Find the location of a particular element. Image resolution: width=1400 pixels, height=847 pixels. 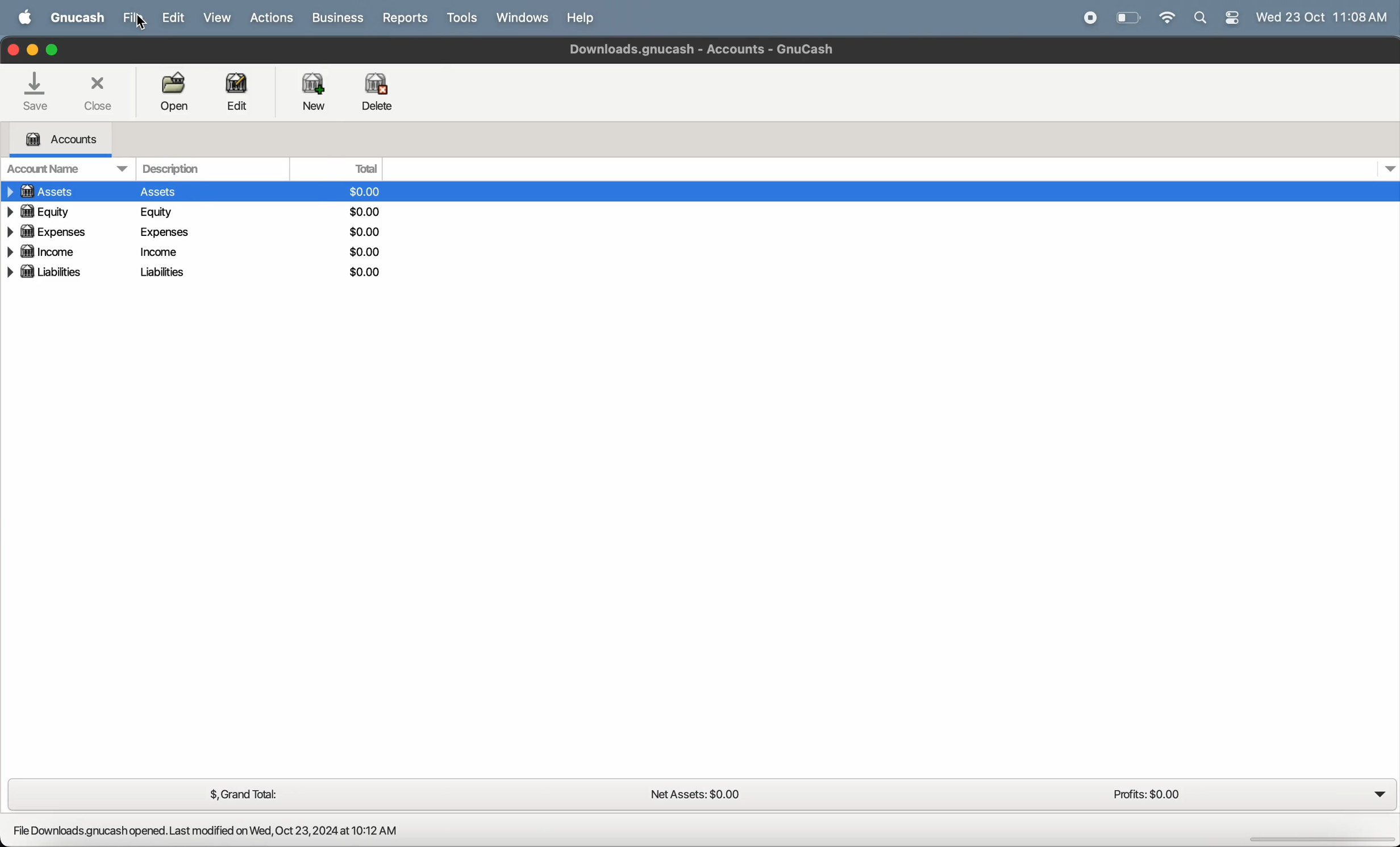

account  name is located at coordinates (53, 167).